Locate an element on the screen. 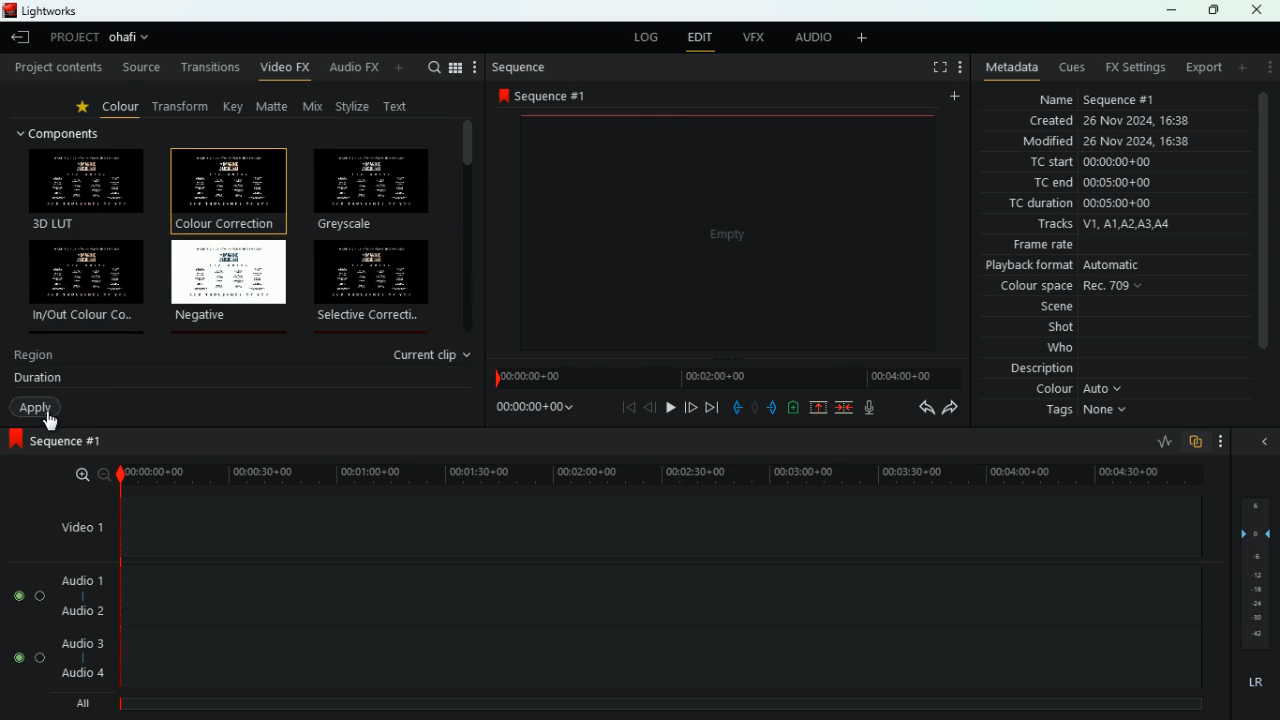  minimize is located at coordinates (1173, 11).